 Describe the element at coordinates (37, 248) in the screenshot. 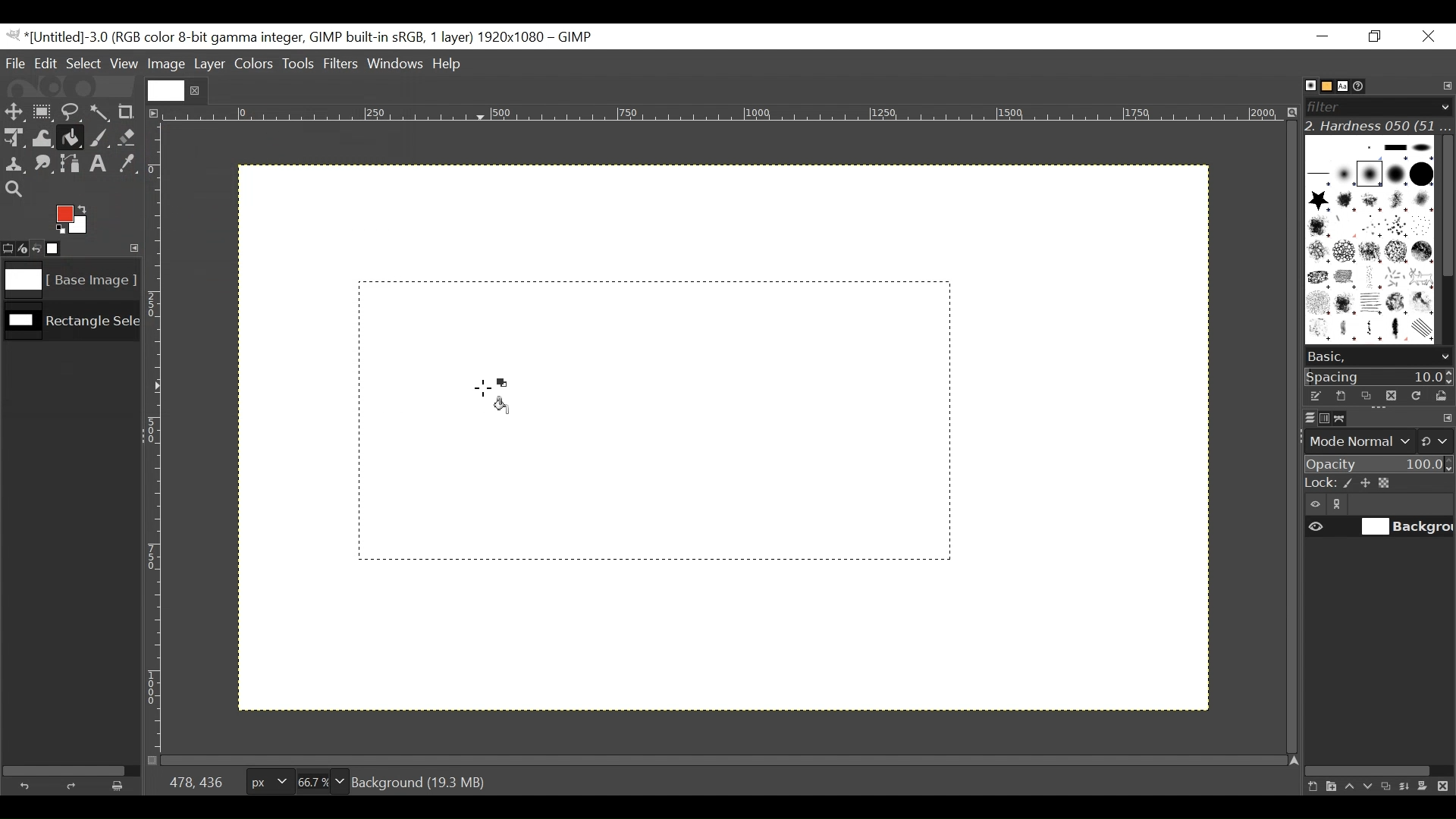

I see `Undo last action` at that location.